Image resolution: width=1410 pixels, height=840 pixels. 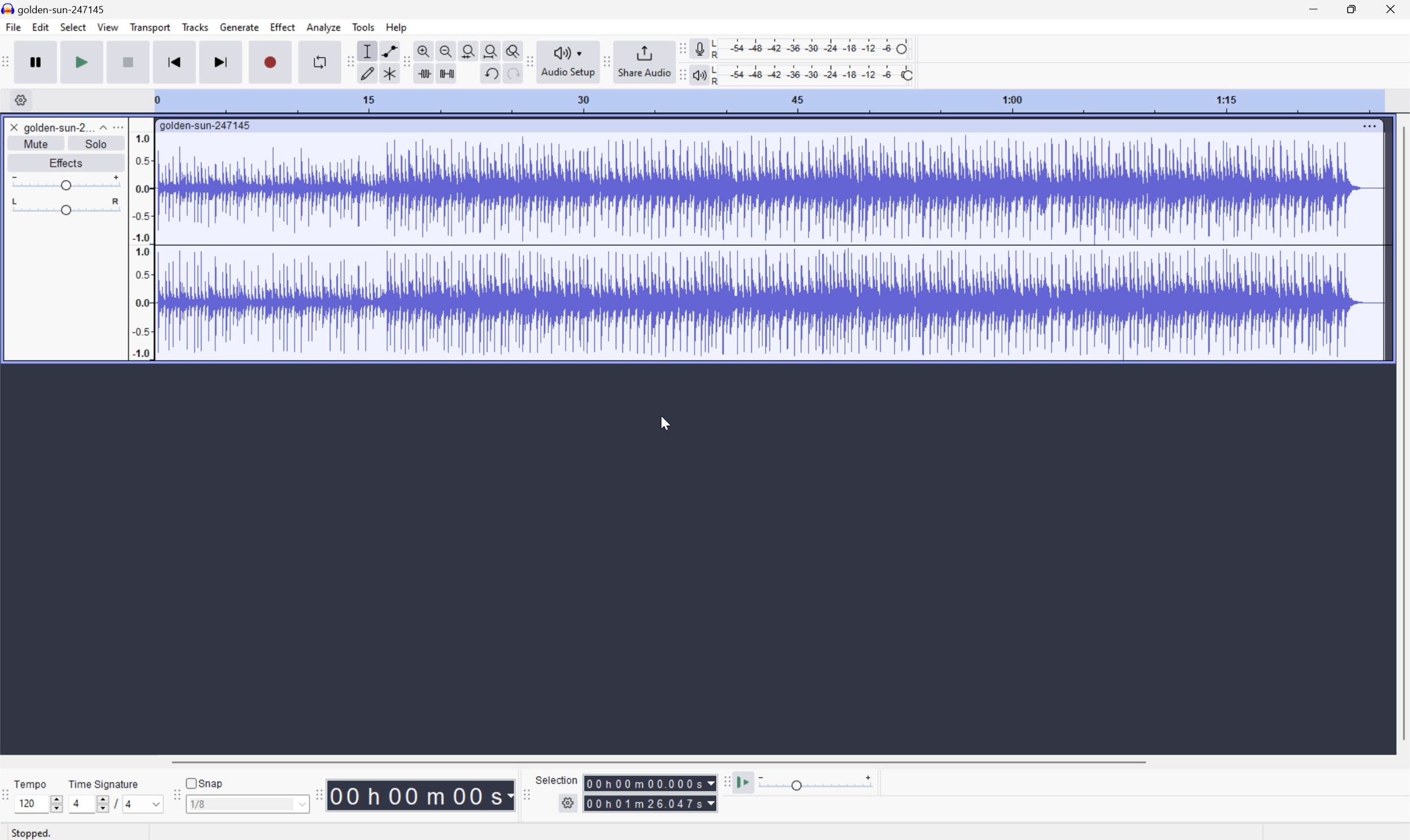 What do you see at coordinates (448, 72) in the screenshot?
I see `Silence audio selection` at bounding box center [448, 72].